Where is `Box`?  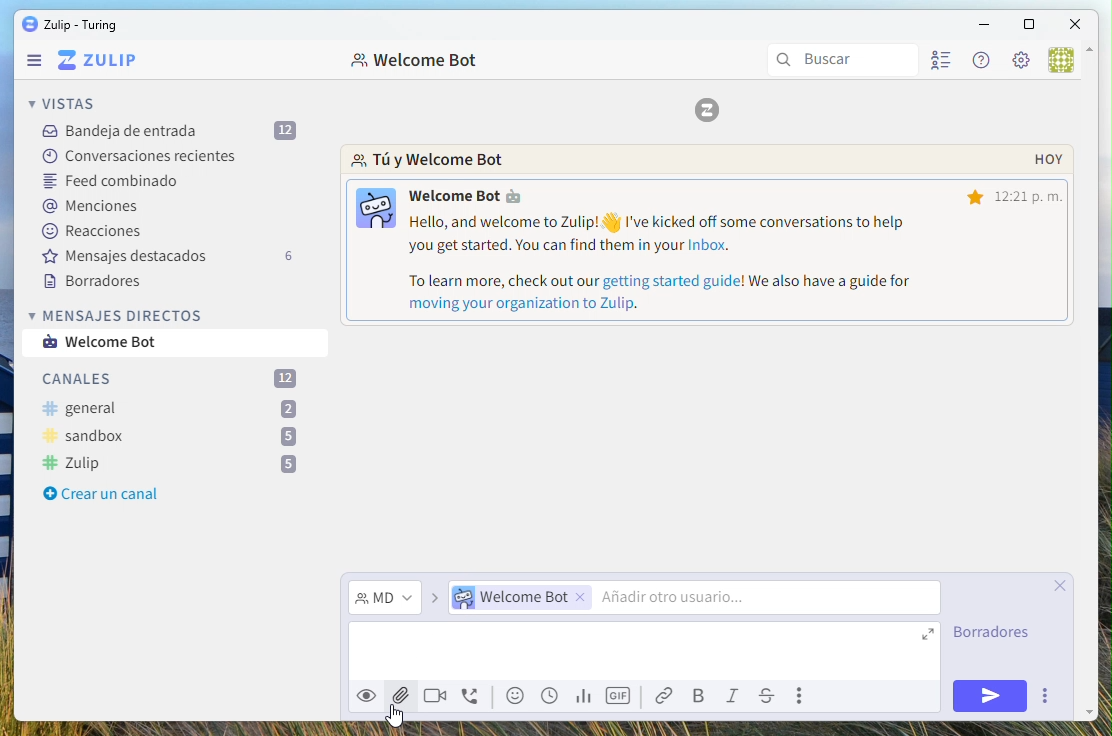 Box is located at coordinates (1028, 26).